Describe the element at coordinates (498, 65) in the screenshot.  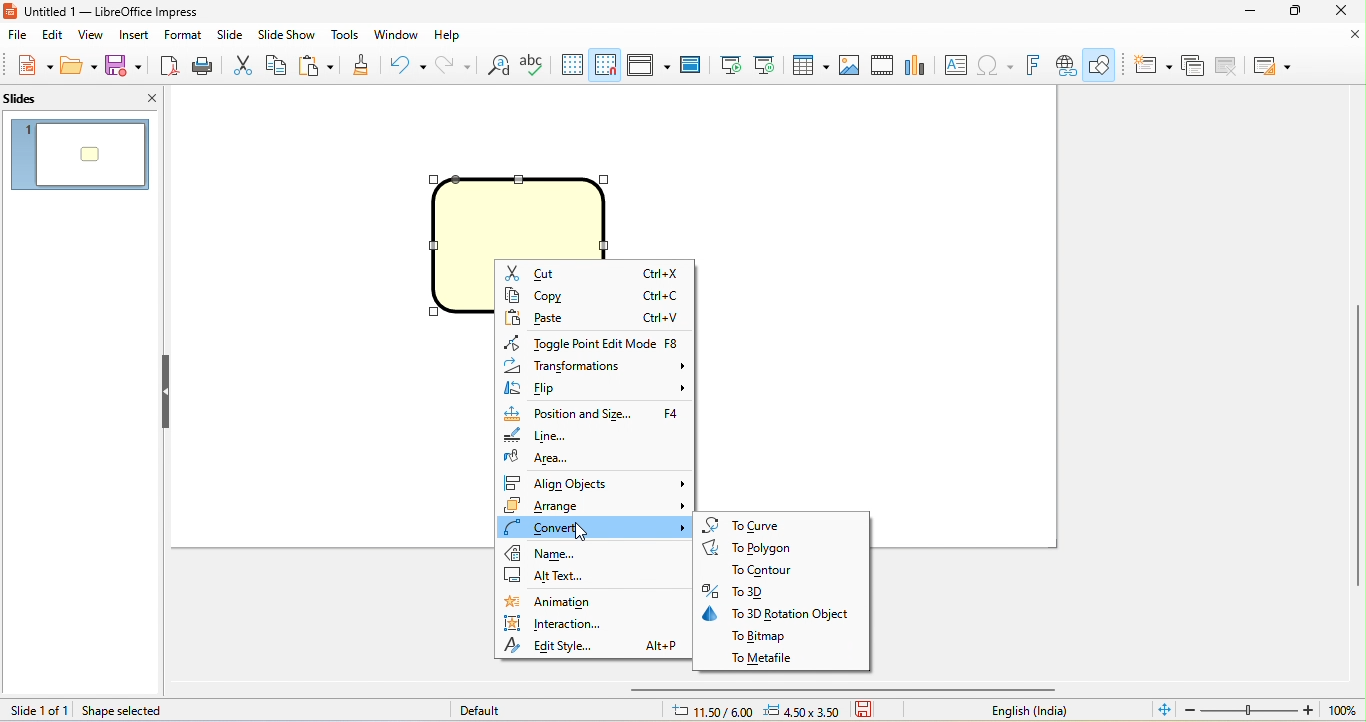
I see `find and replace` at that location.